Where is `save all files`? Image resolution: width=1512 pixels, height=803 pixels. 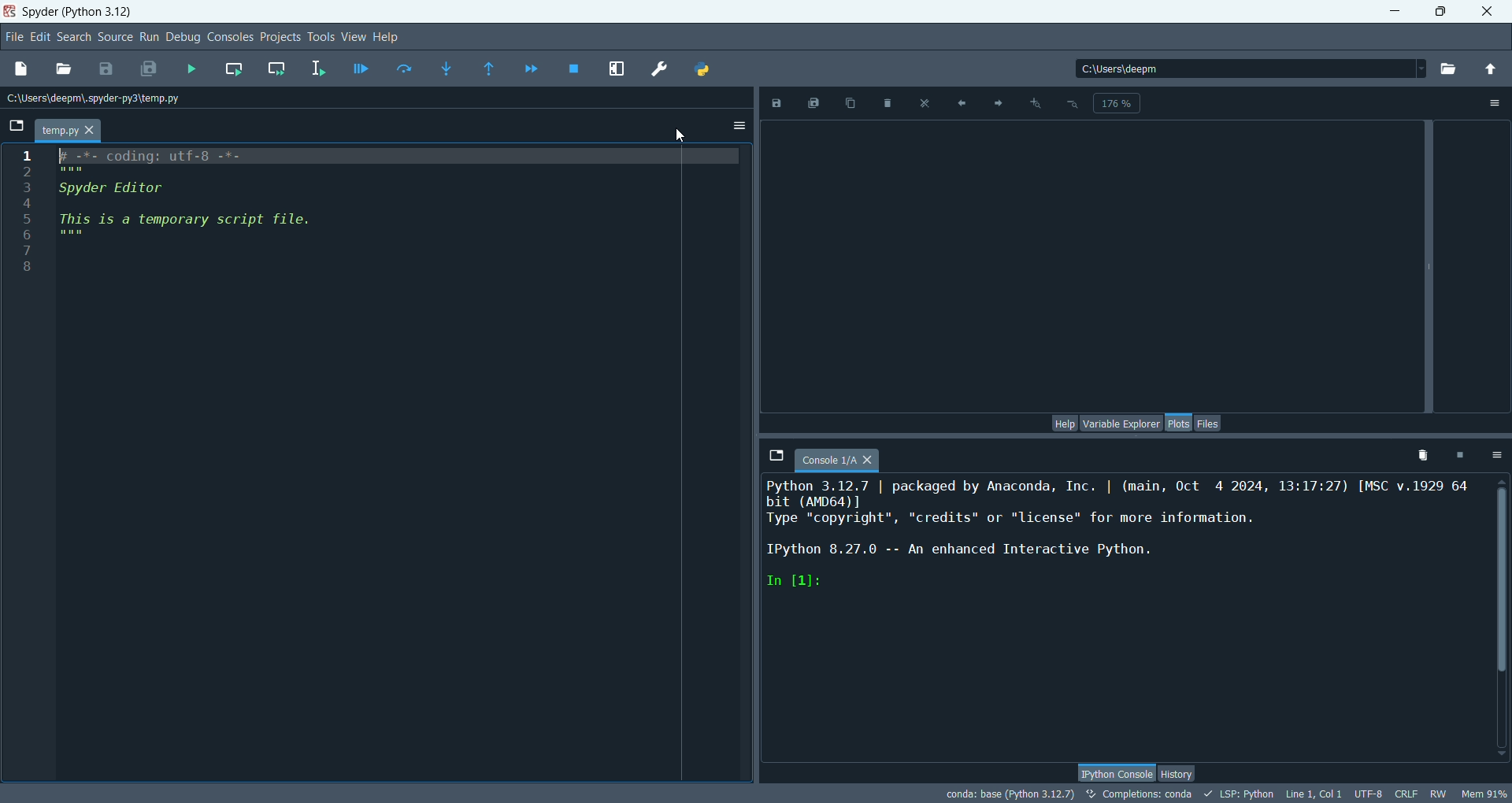
save all files is located at coordinates (150, 68).